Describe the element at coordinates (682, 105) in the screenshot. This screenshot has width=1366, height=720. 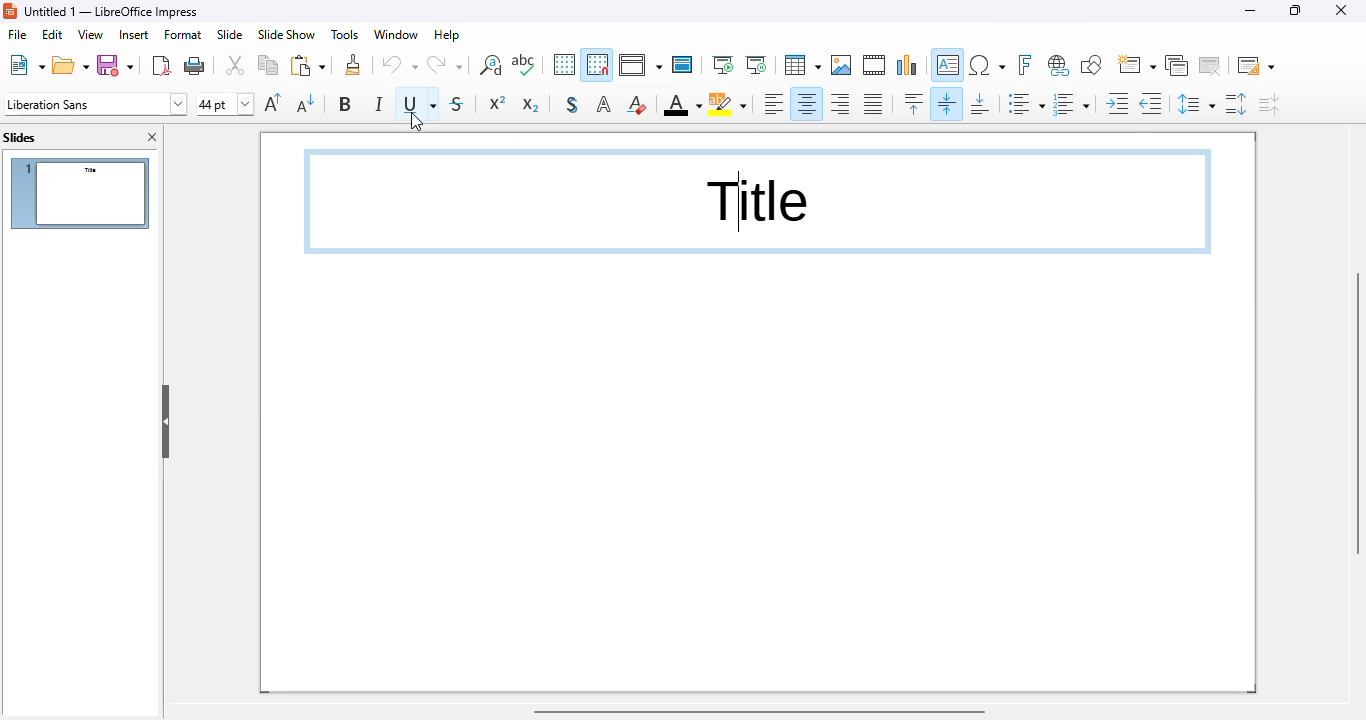
I see `font color` at that location.